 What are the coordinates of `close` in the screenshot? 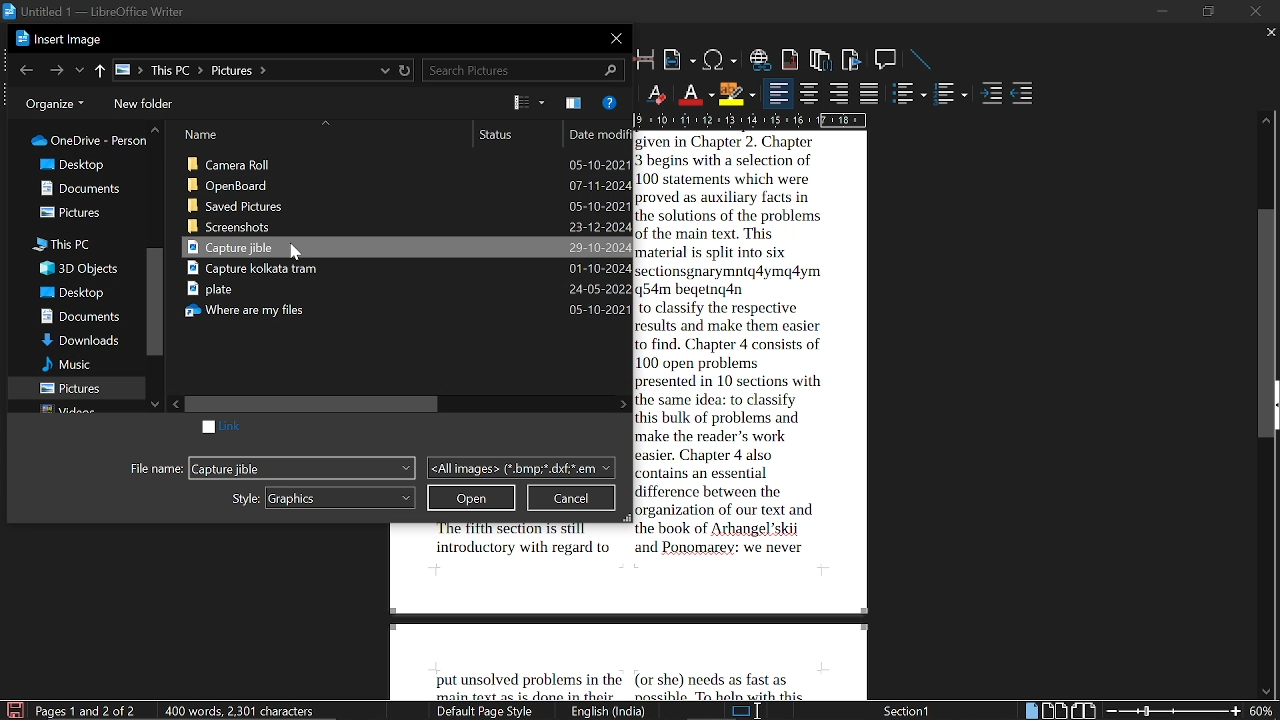 It's located at (1257, 9).